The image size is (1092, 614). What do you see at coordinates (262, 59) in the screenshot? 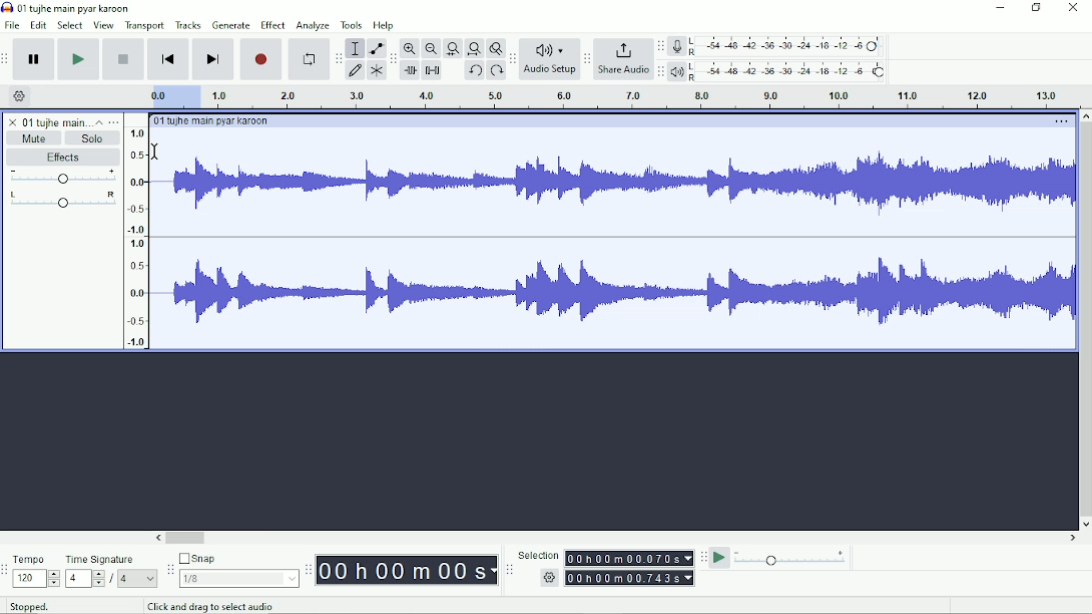
I see `Record` at bounding box center [262, 59].